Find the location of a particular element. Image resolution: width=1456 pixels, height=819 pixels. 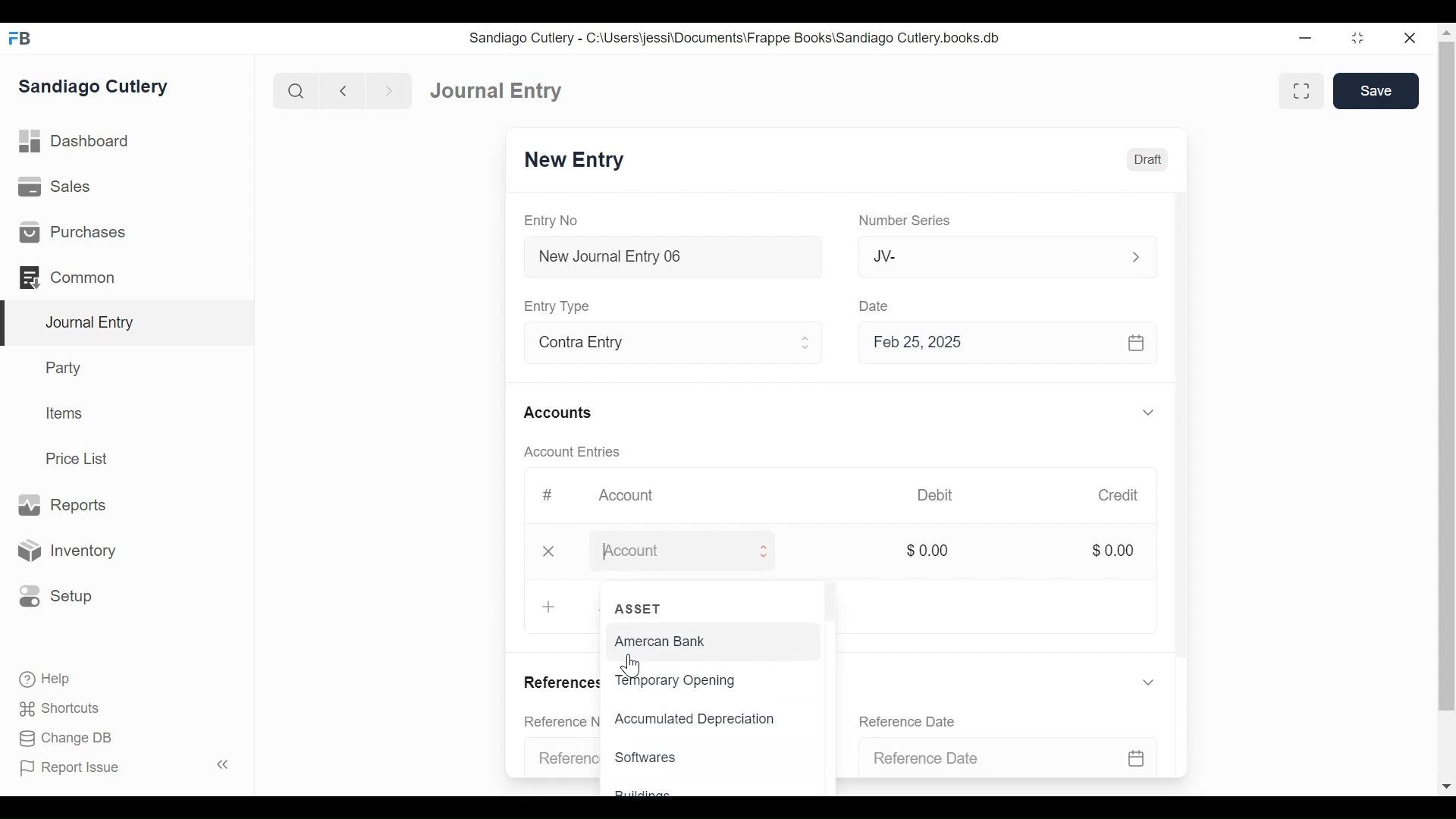

Feb 25, 2025 is located at coordinates (1006, 342).